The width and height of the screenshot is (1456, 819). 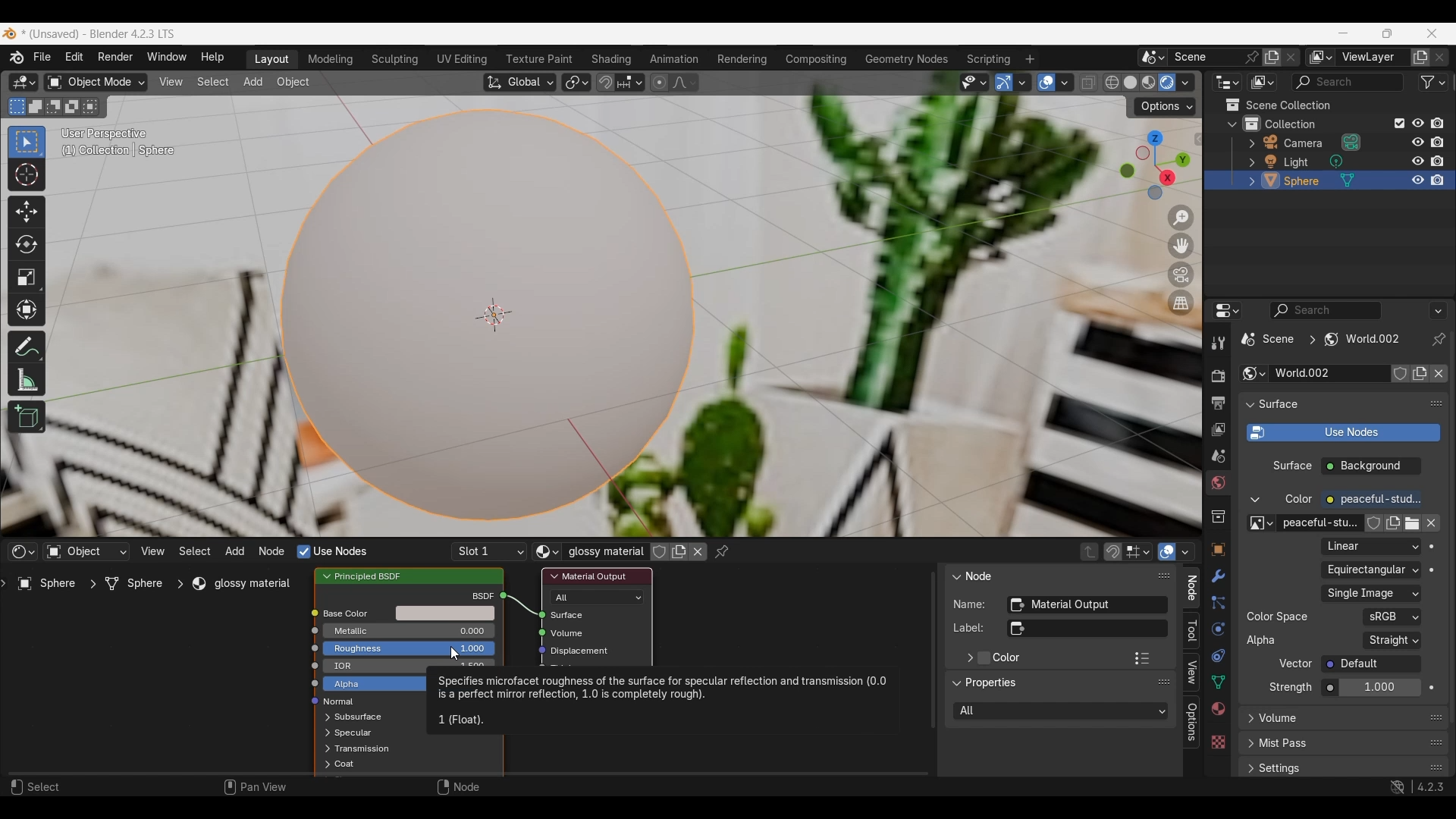 I want to click on Displacement, so click(x=585, y=651).